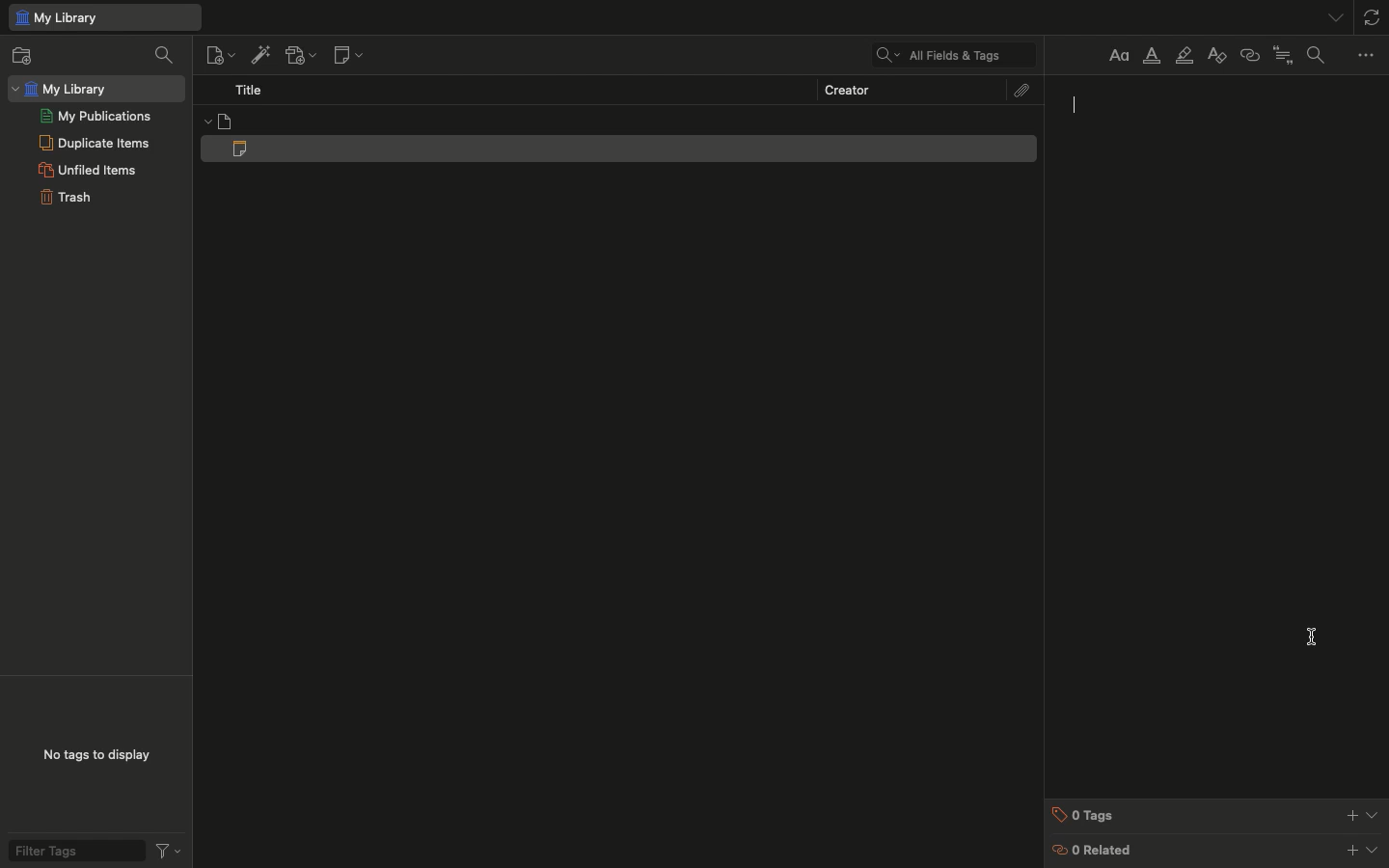  I want to click on Text color, so click(1153, 59).